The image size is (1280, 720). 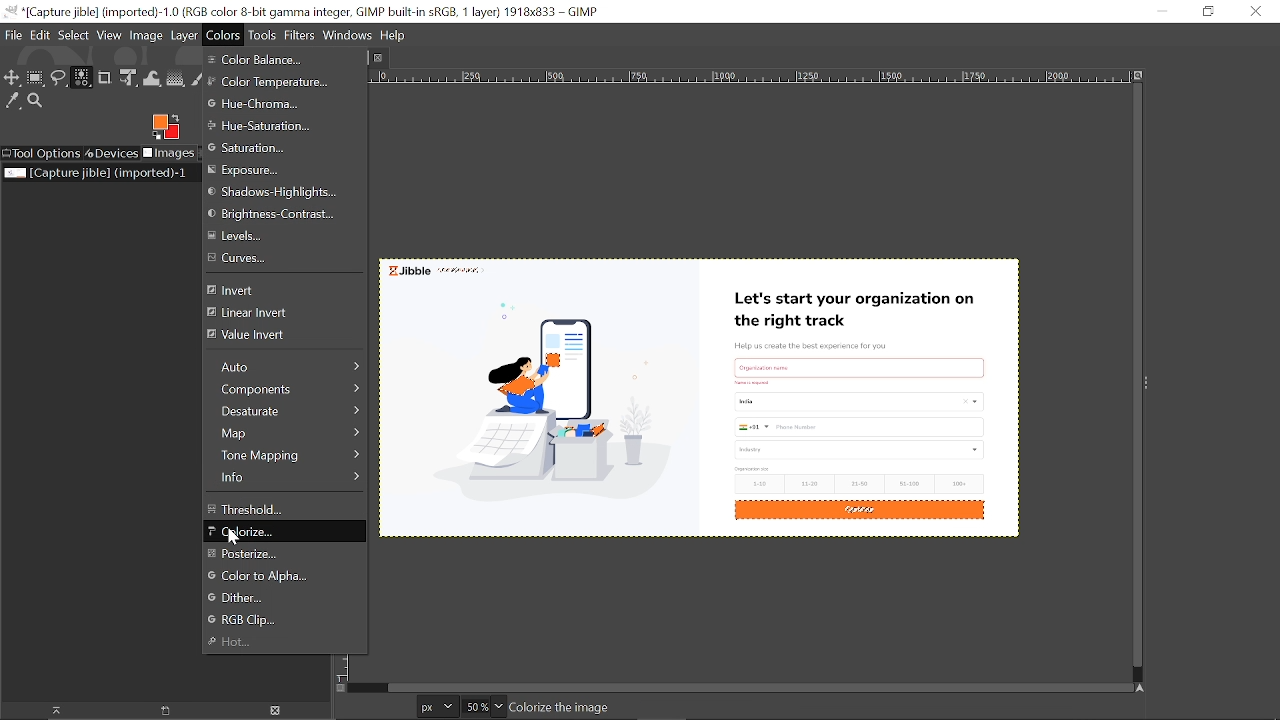 I want to click on Filters, so click(x=300, y=36).